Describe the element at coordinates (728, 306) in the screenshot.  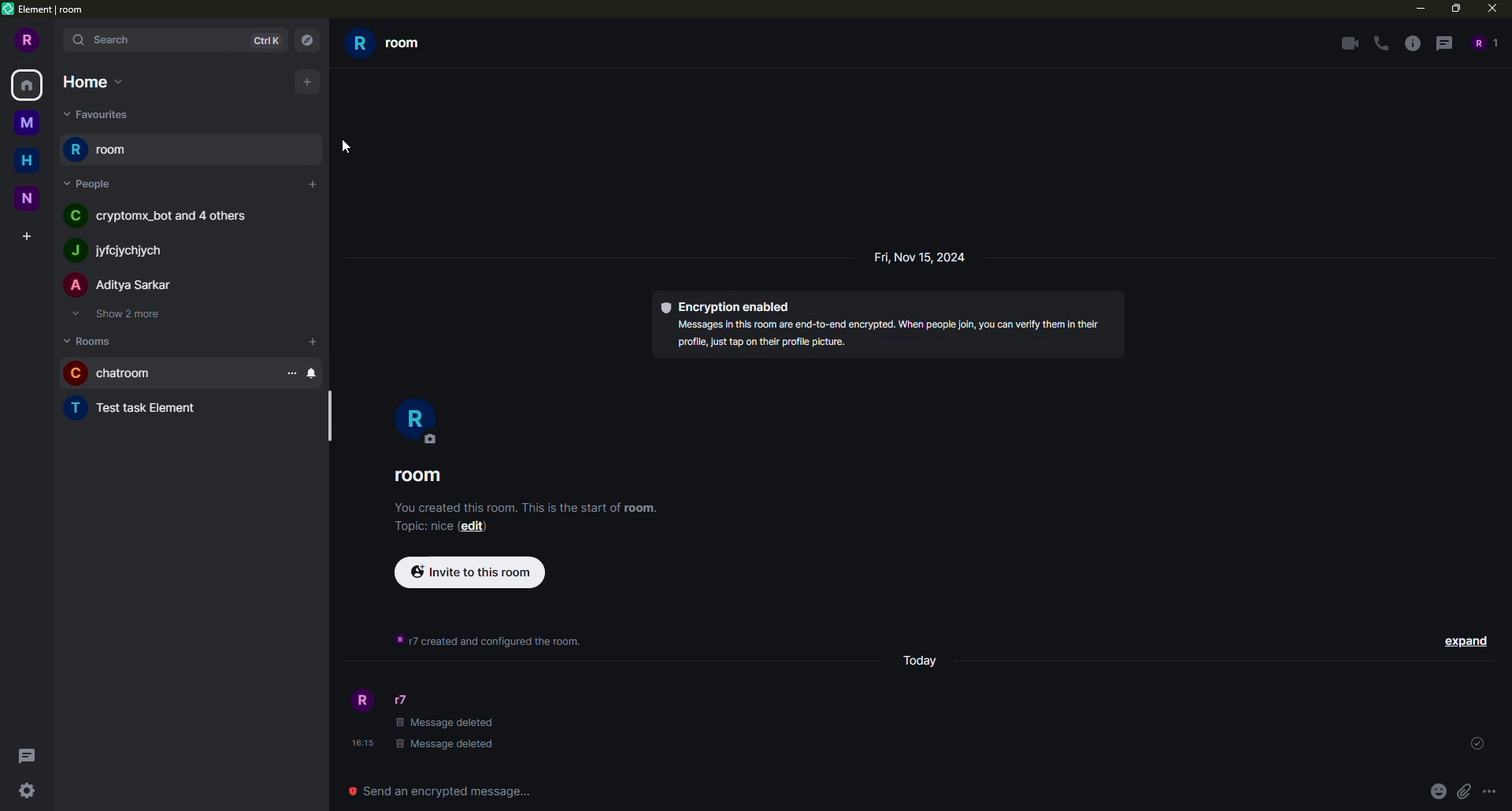
I see `encryption enabled` at that location.